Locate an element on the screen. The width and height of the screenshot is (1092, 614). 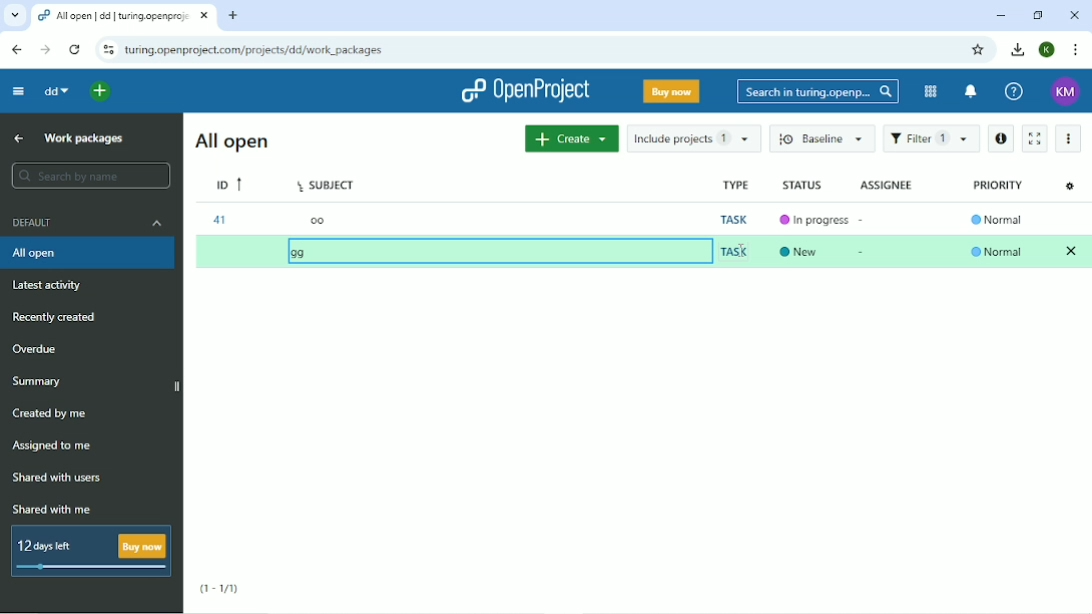
View site information is located at coordinates (108, 51).